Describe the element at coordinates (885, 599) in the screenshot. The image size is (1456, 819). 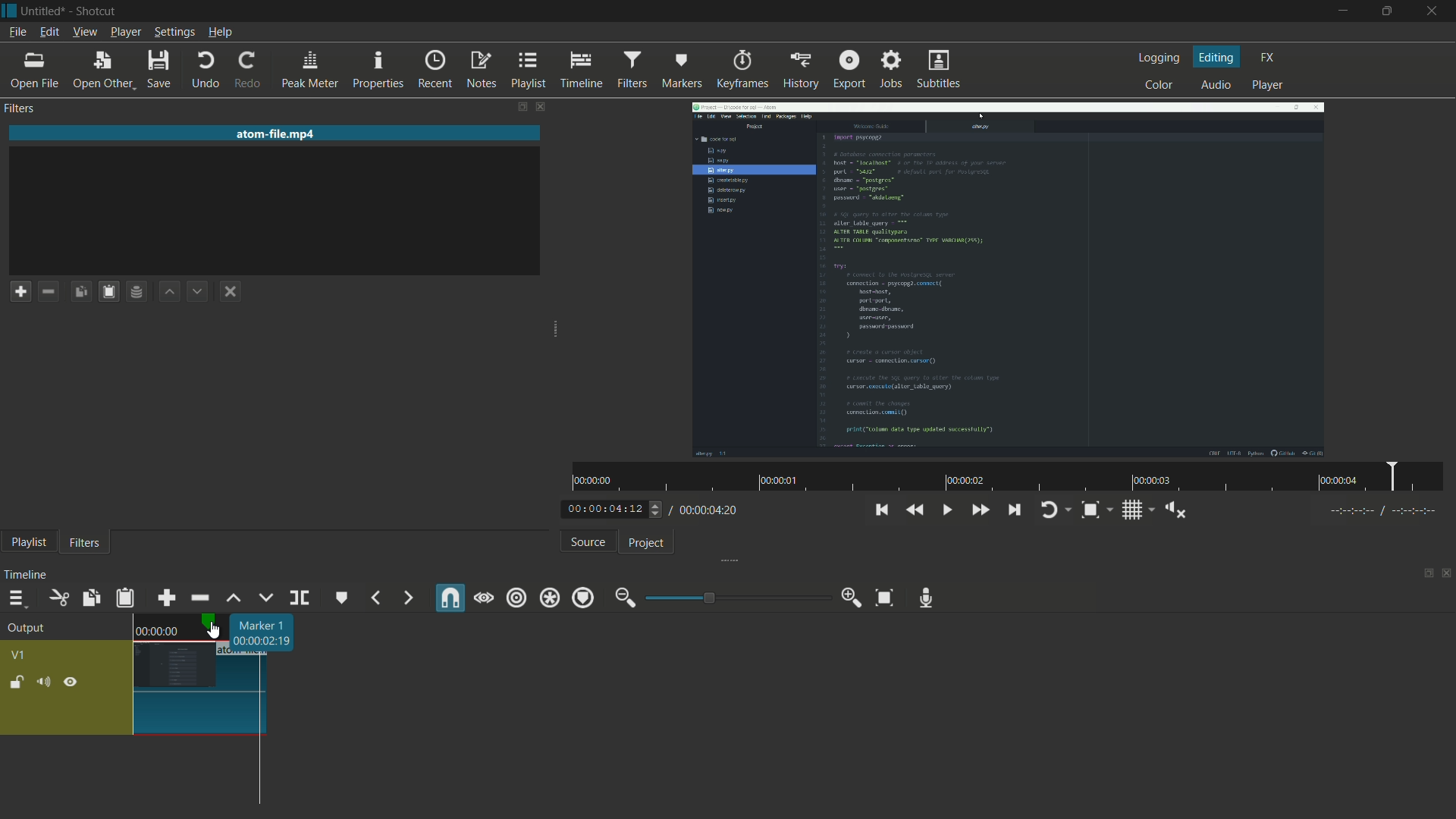
I see `zoom timeline to fit` at that location.